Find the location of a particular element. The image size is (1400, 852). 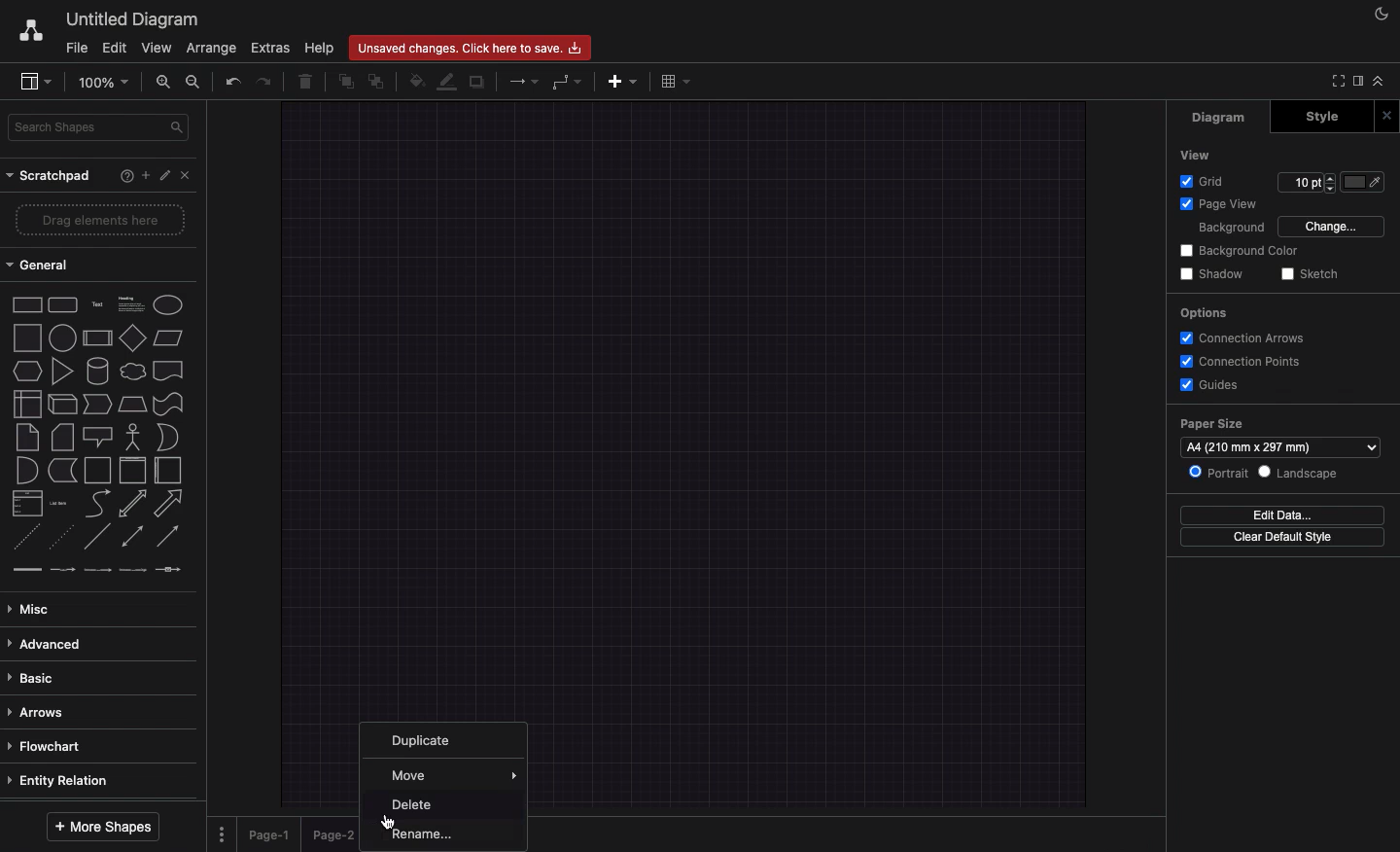

Draw.io is located at coordinates (26, 29).